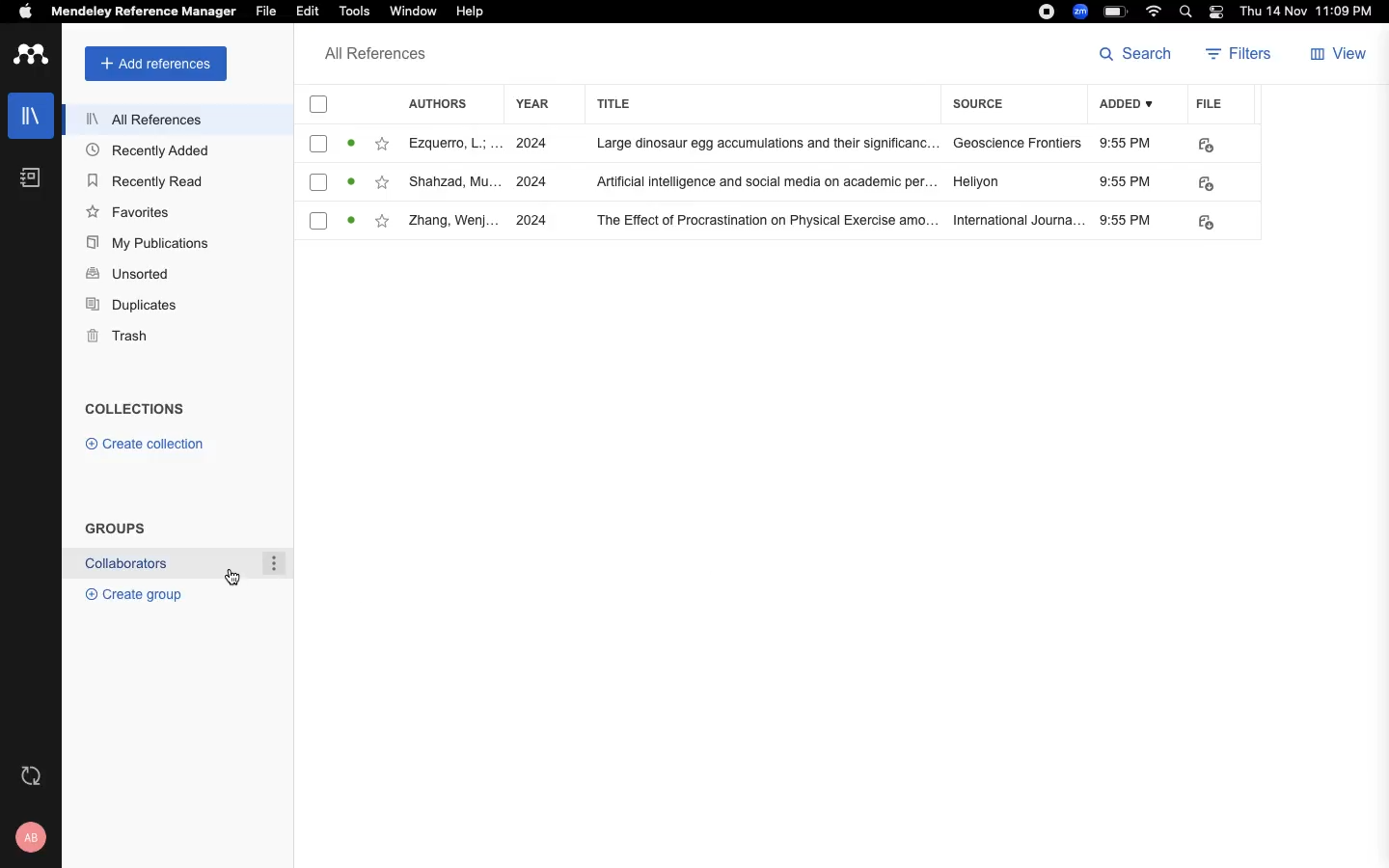  What do you see at coordinates (311, 13) in the screenshot?
I see `Edit` at bounding box center [311, 13].